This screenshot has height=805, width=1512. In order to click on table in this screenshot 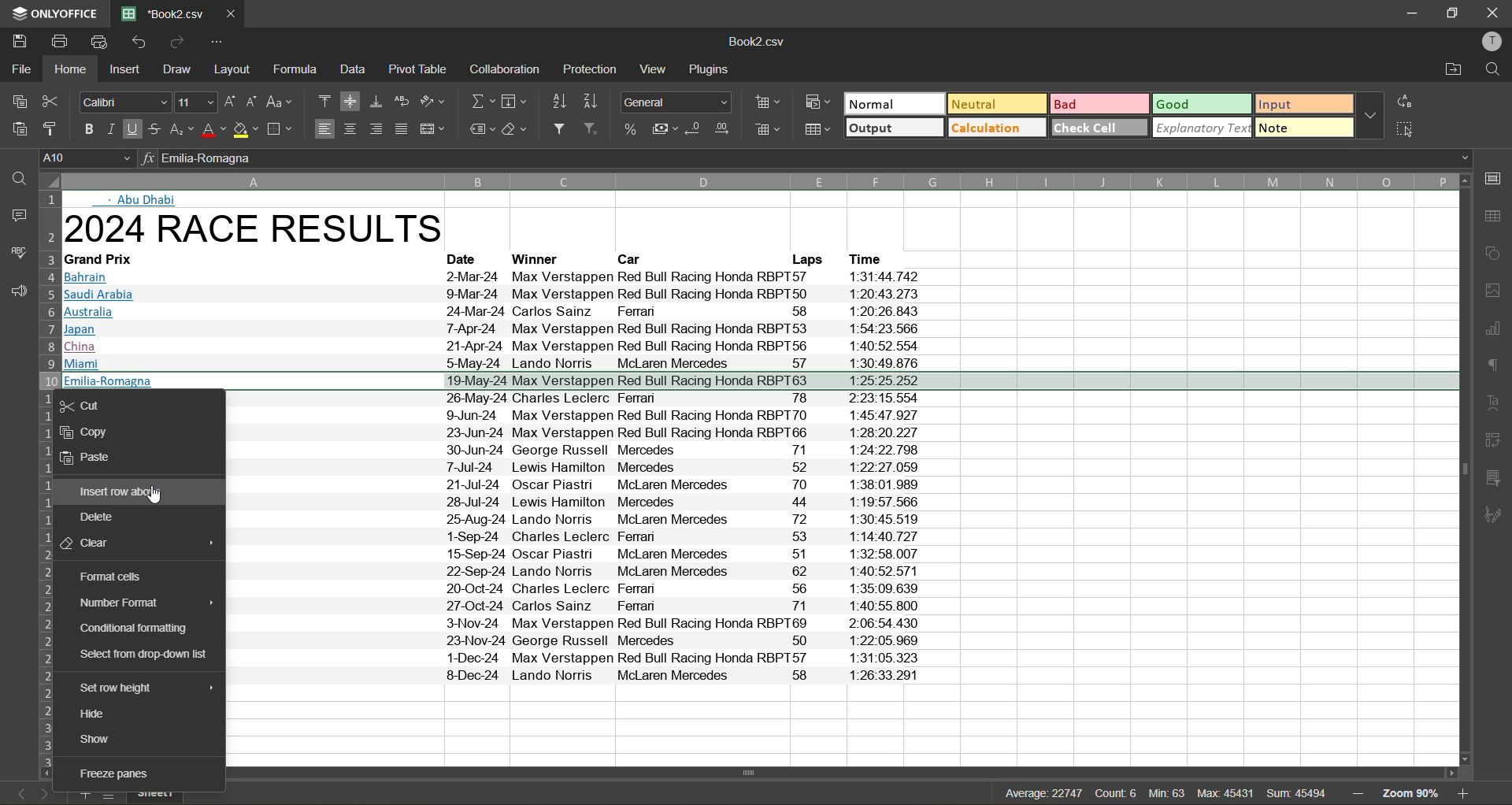, I will do `click(1497, 218)`.